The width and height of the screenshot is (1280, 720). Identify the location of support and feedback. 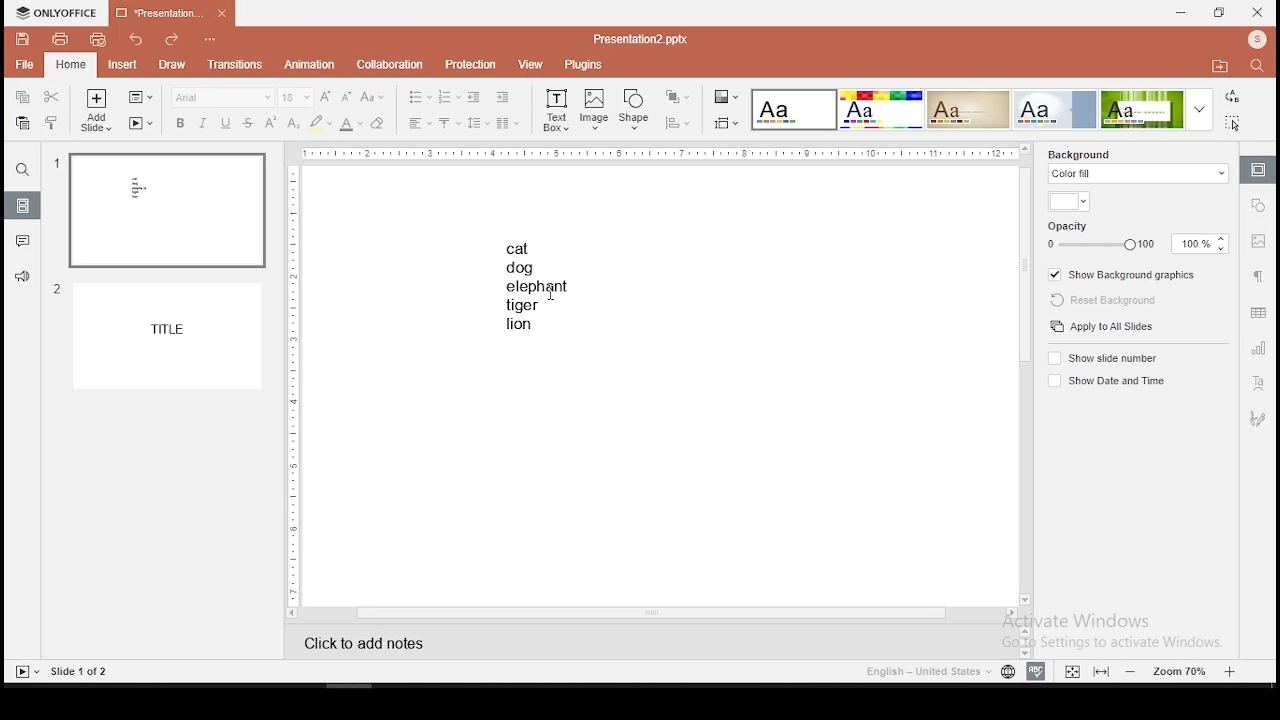
(21, 277).